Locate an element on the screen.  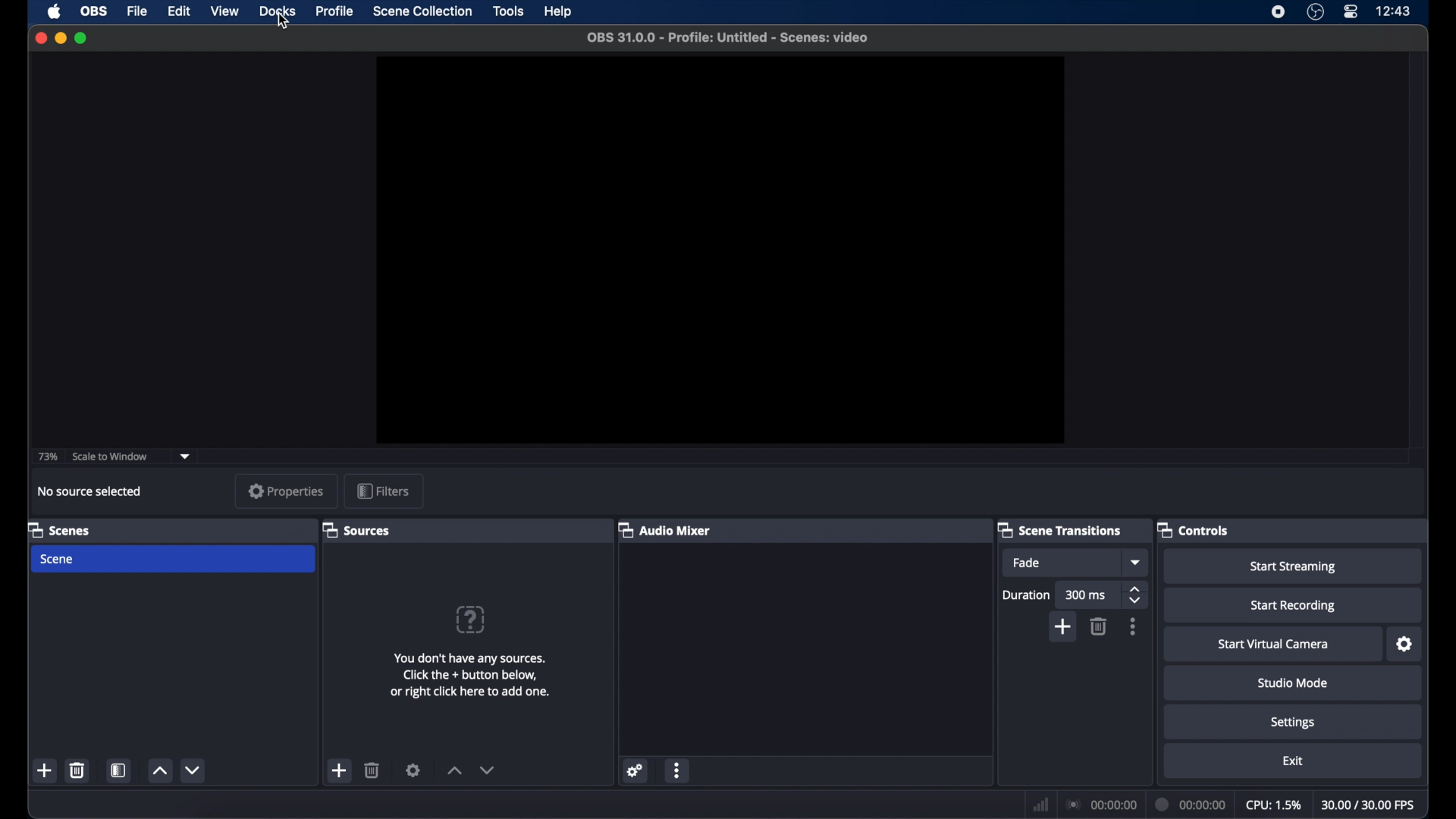
no source selected is located at coordinates (89, 491).